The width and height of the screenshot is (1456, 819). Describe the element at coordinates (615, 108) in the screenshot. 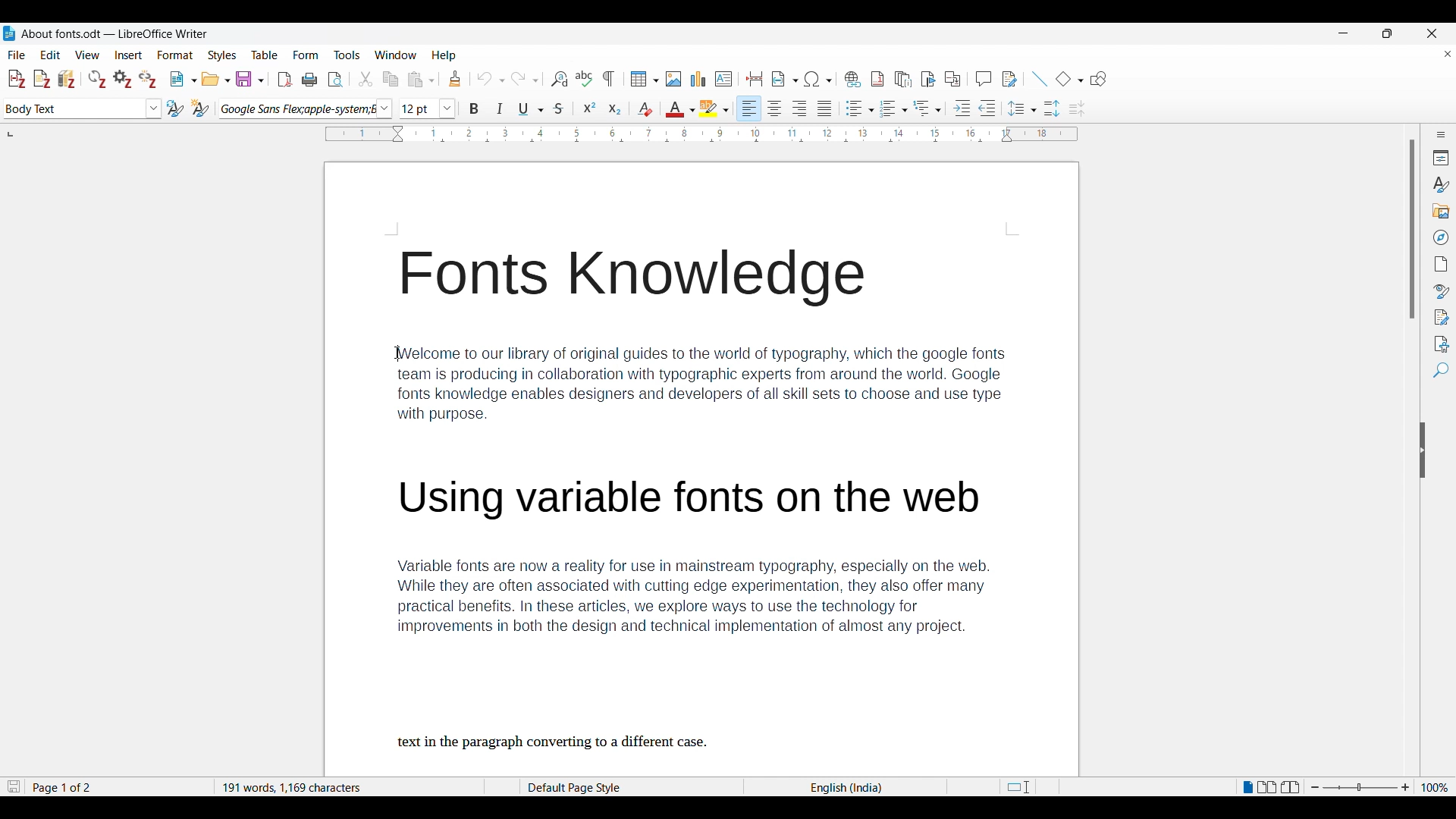

I see `Subscript` at that location.